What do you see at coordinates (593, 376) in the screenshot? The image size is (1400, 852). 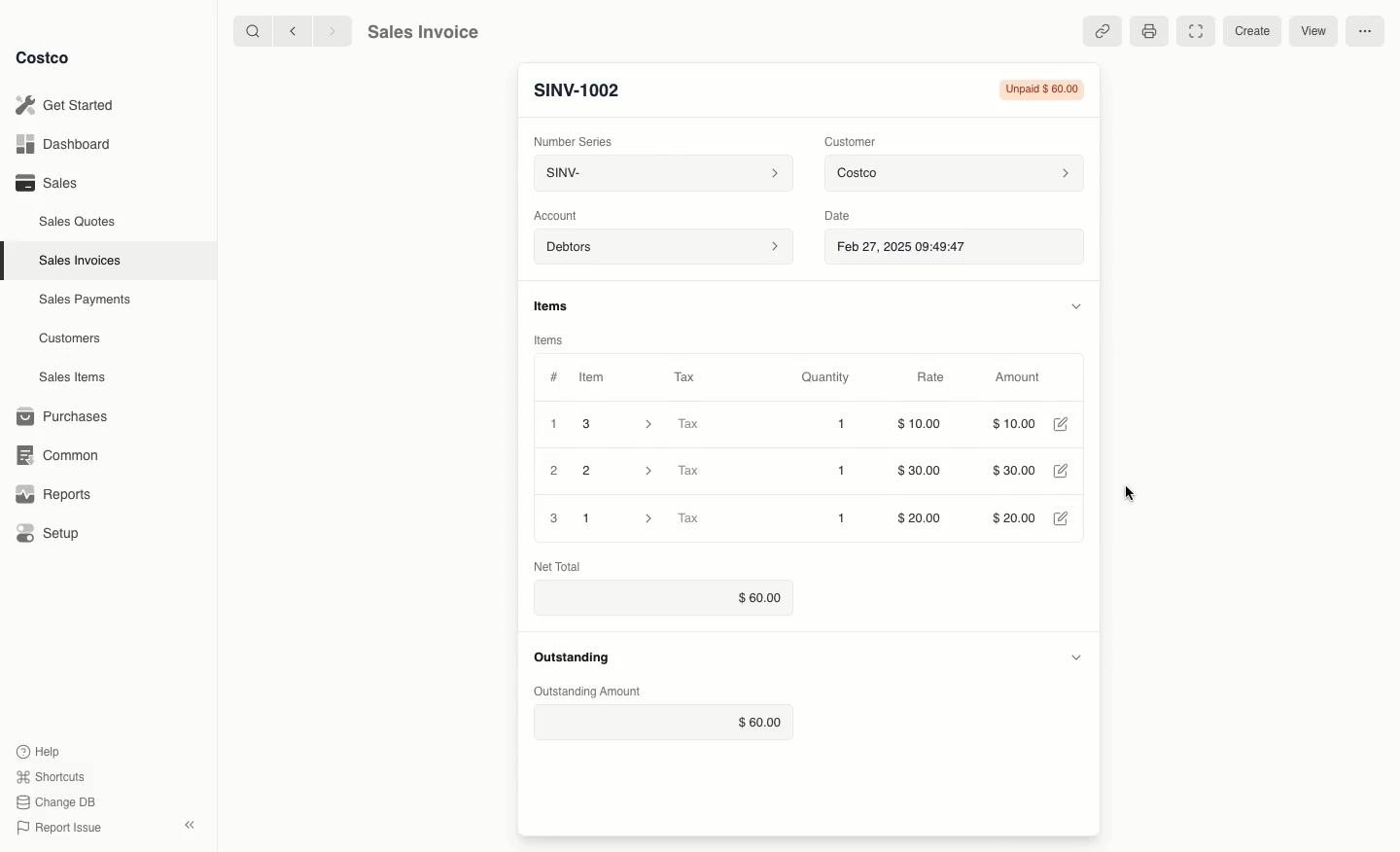 I see `Item` at bounding box center [593, 376].